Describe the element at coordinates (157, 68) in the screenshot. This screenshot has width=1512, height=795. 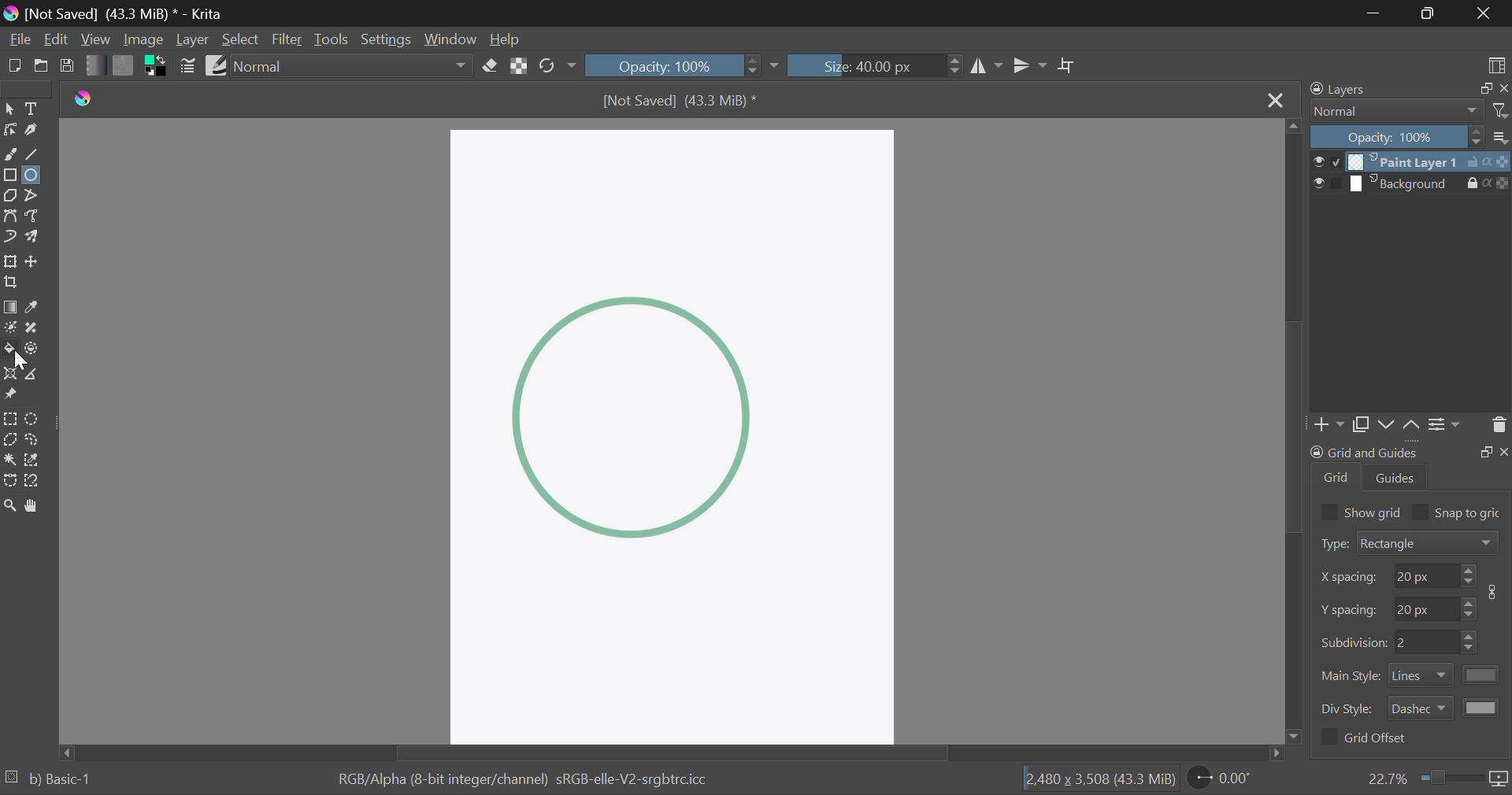
I see `Colors in Use` at that location.